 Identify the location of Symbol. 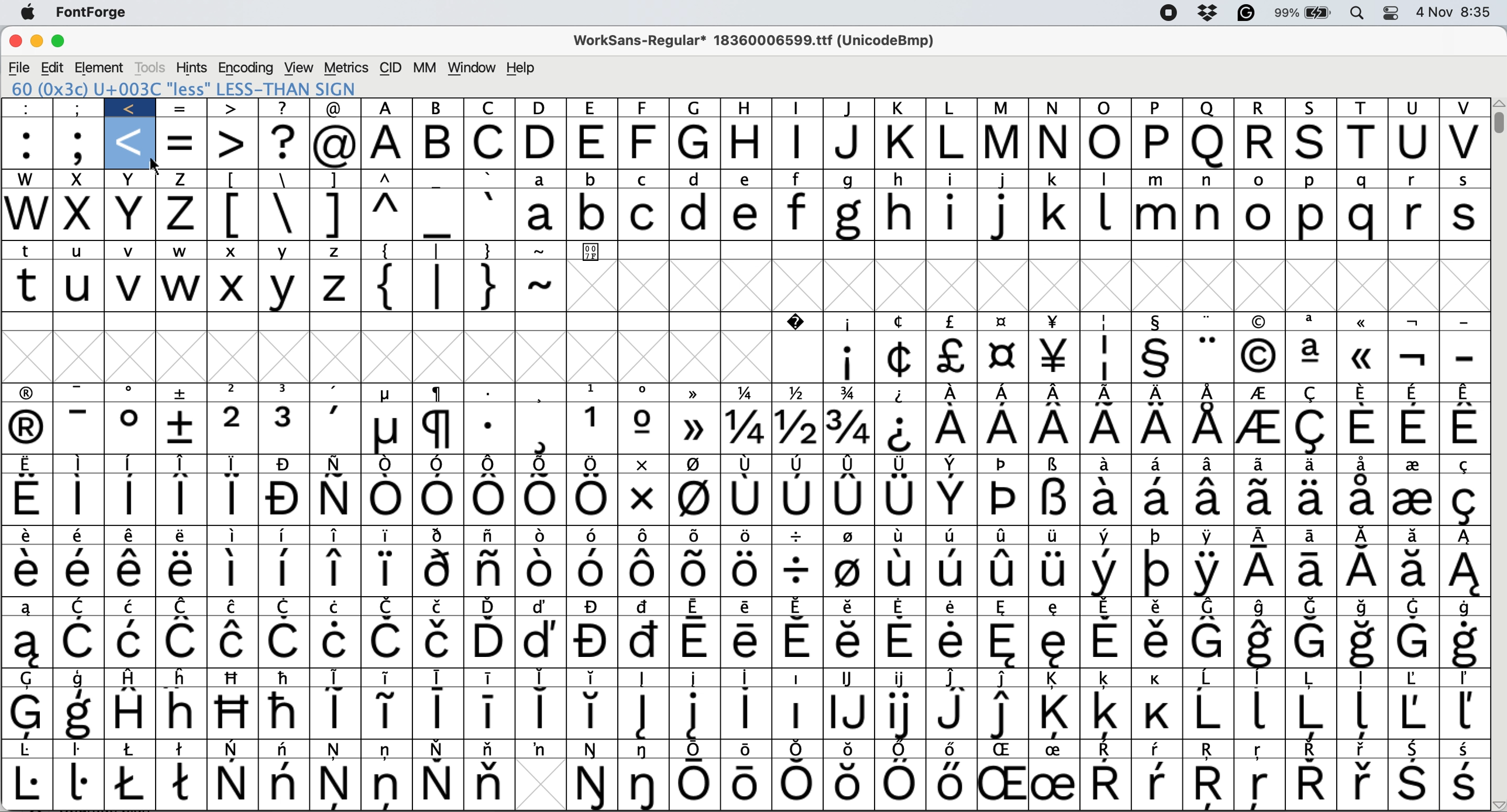
(387, 642).